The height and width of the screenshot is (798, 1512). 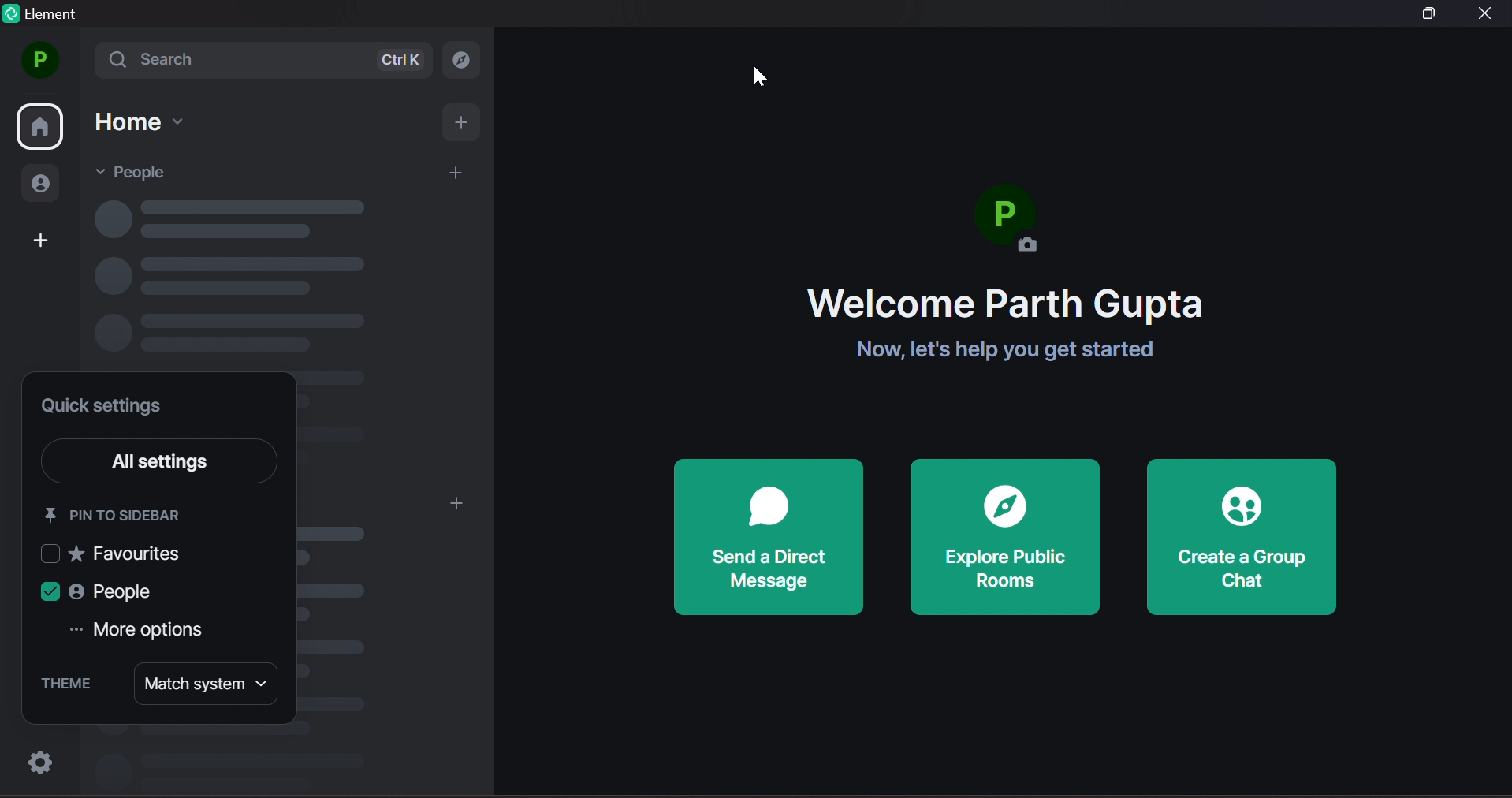 I want to click on People, toggled on, so click(x=106, y=592).